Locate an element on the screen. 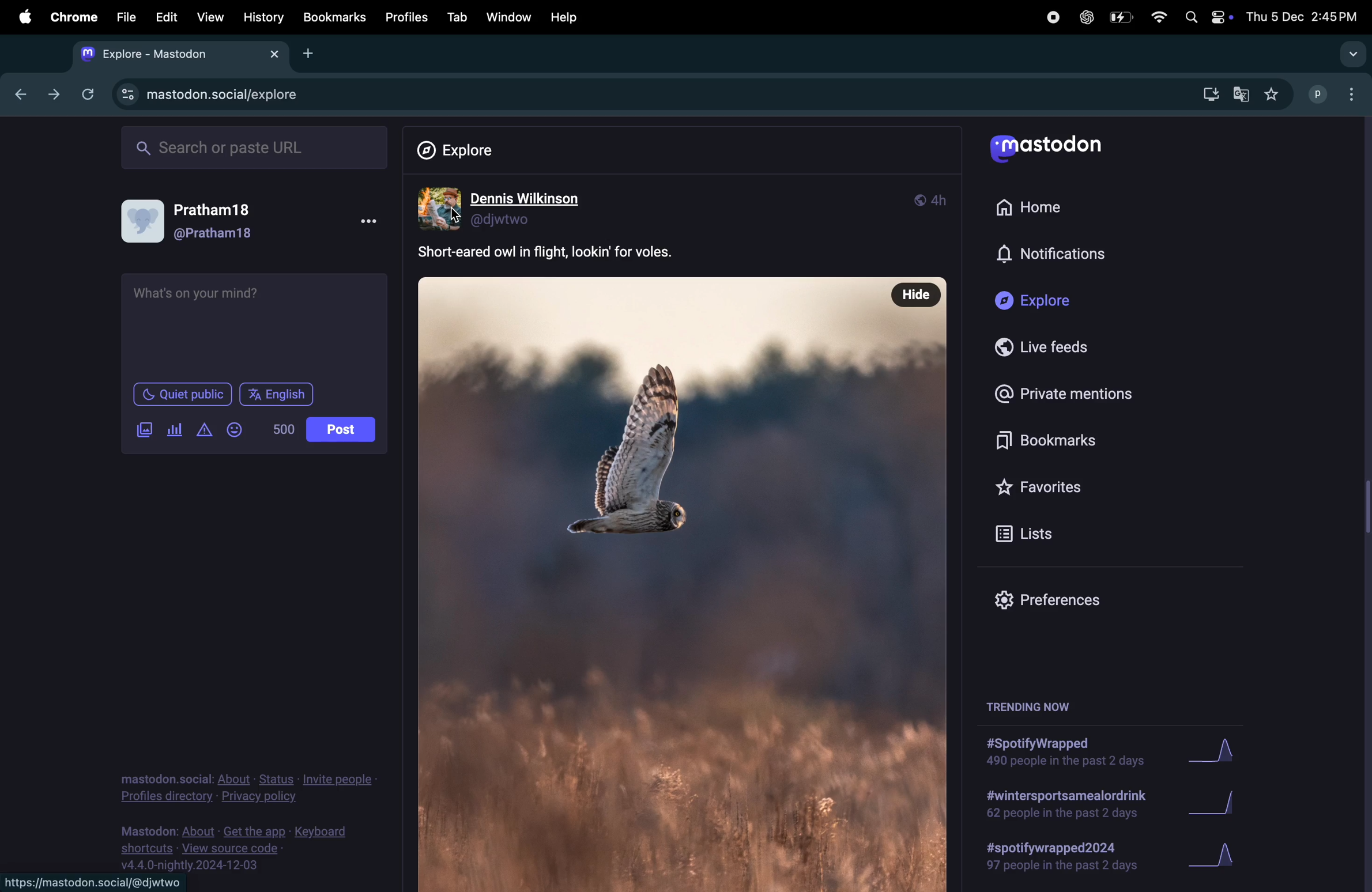  chrome is located at coordinates (75, 16).